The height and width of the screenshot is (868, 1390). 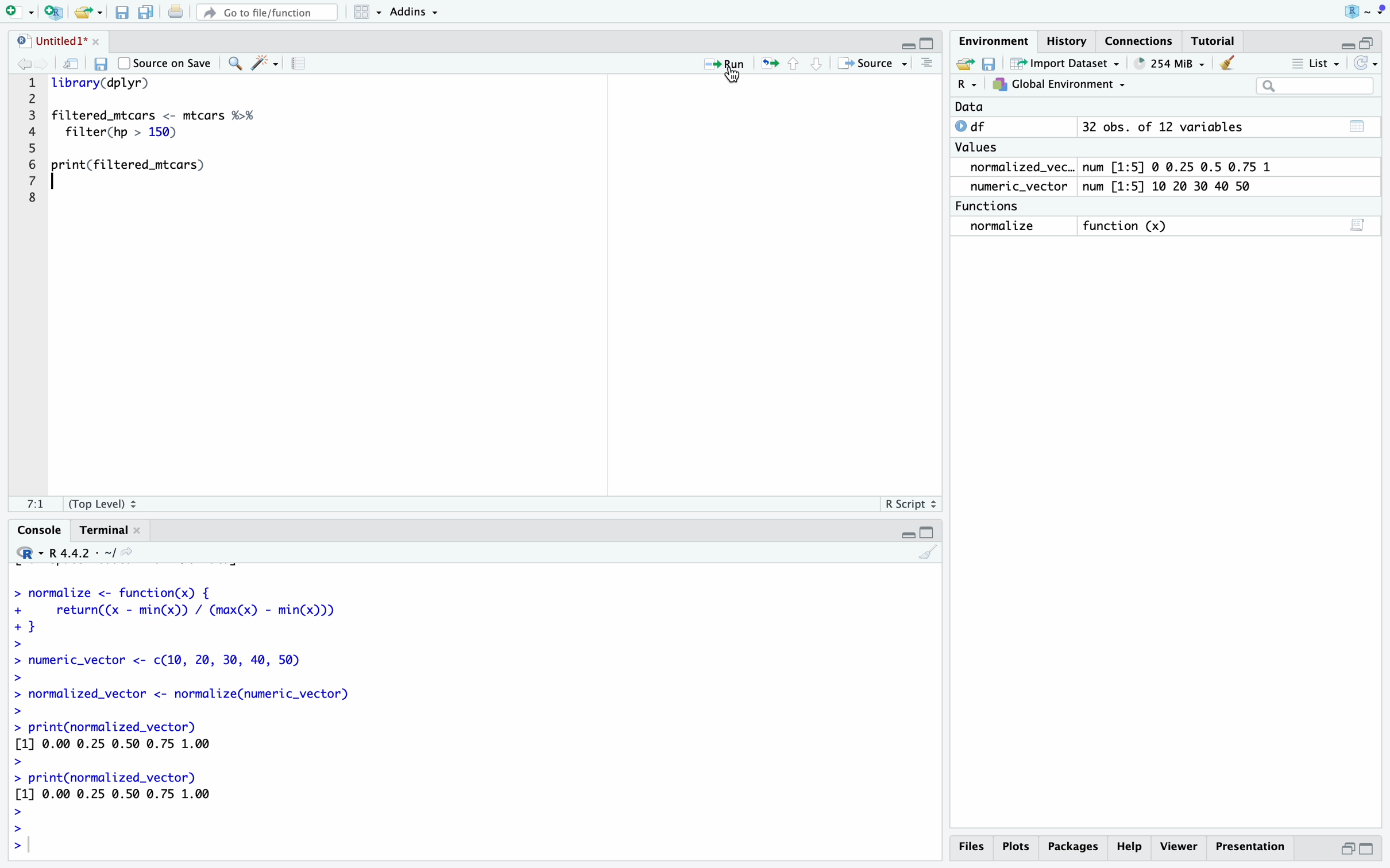 I want to click on R Script, so click(x=908, y=506).